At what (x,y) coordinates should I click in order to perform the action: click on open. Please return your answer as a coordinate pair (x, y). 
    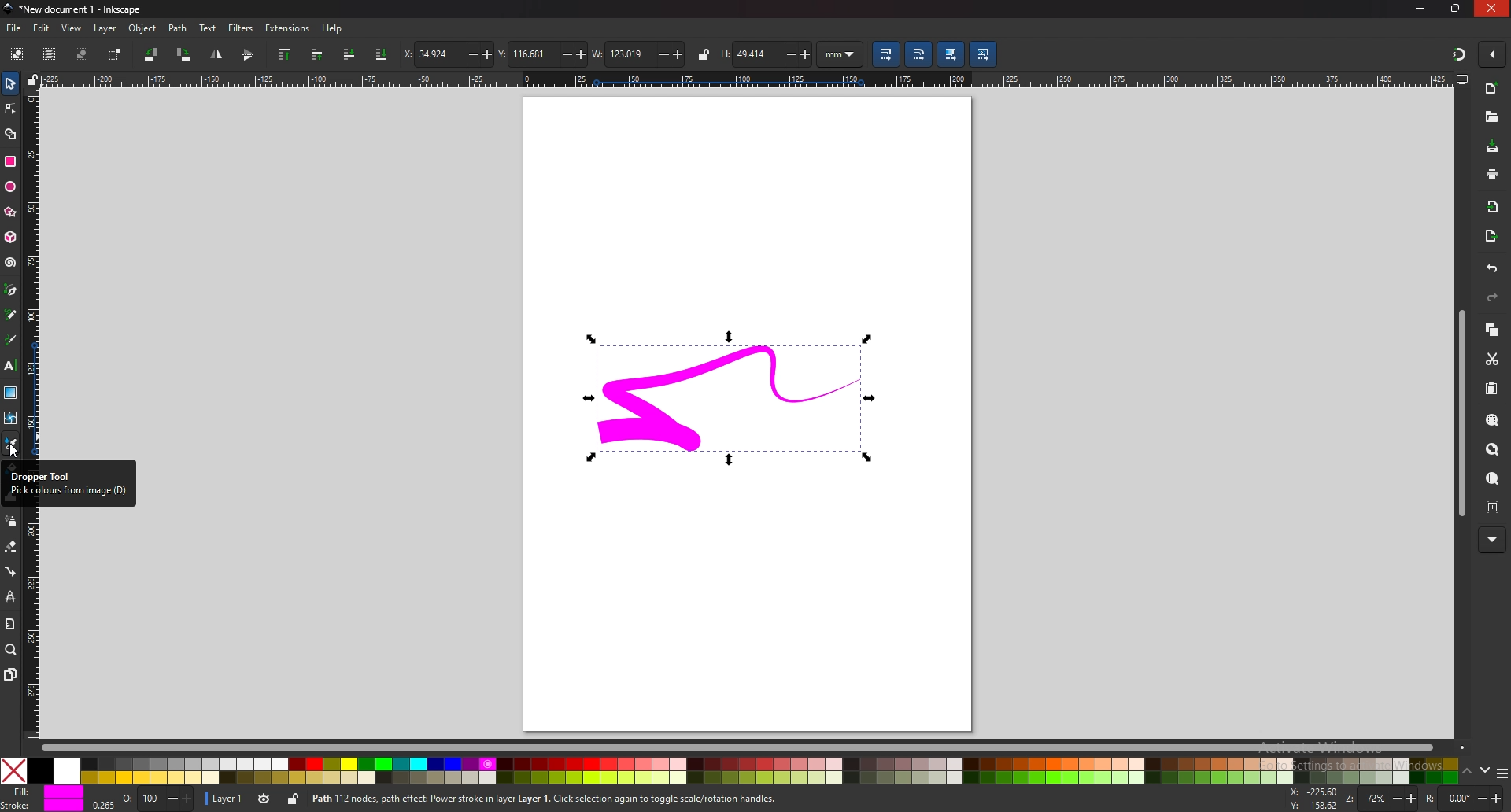
    Looking at the image, I should click on (1494, 120).